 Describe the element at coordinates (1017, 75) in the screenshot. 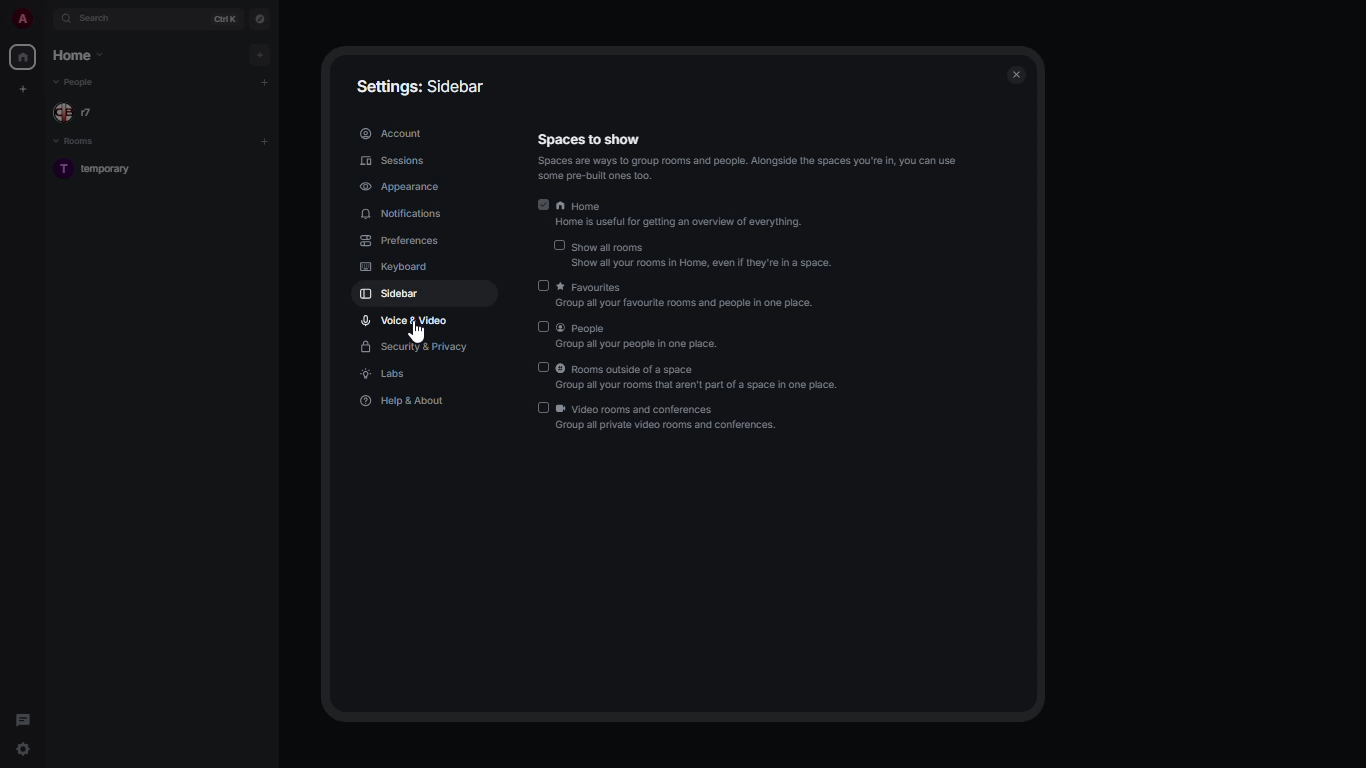

I see `close` at that location.